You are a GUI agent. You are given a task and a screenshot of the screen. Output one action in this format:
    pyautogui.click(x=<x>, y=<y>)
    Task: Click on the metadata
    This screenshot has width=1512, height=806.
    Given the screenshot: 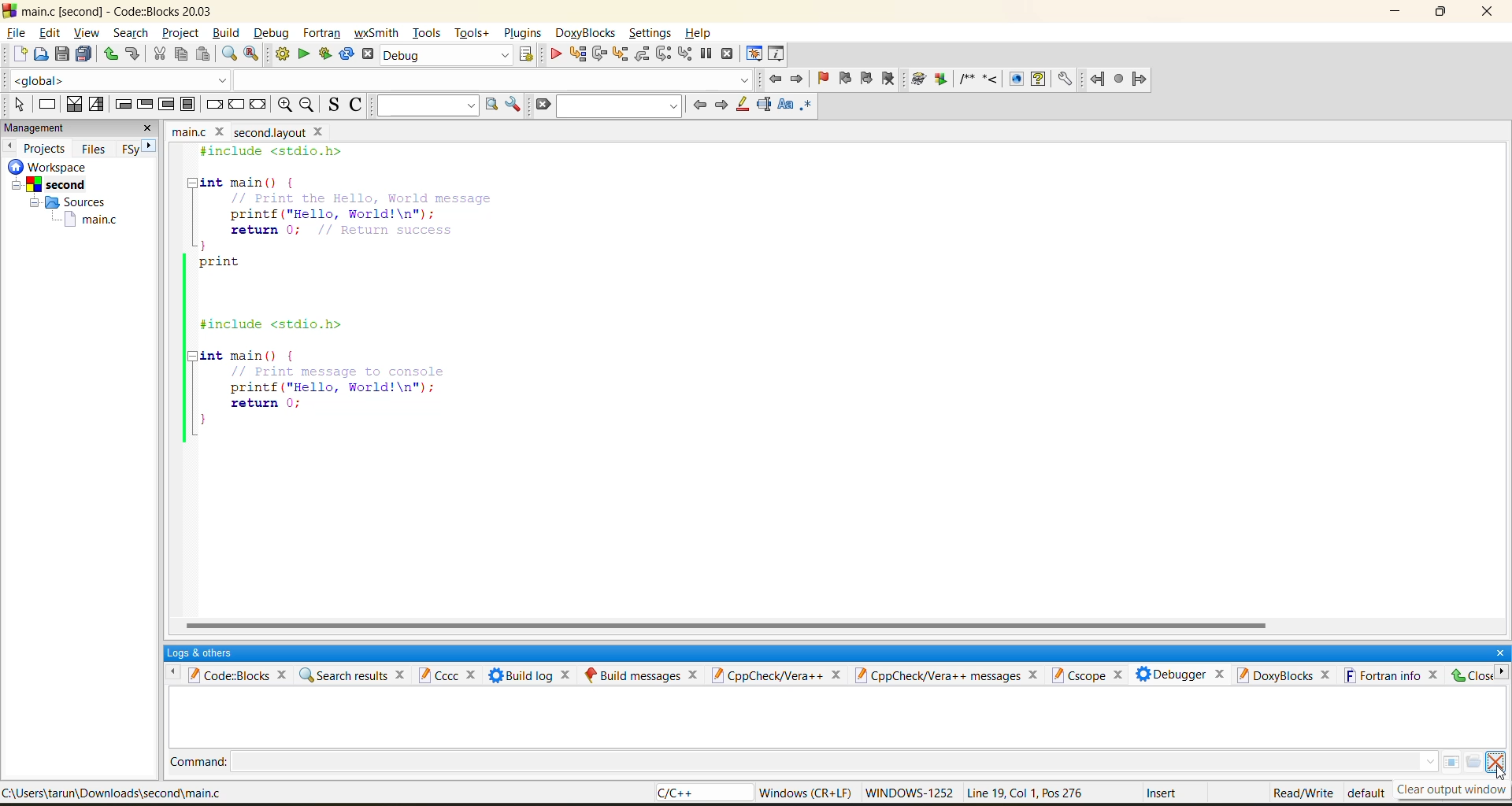 What is the action you would take?
    pyautogui.click(x=1135, y=794)
    